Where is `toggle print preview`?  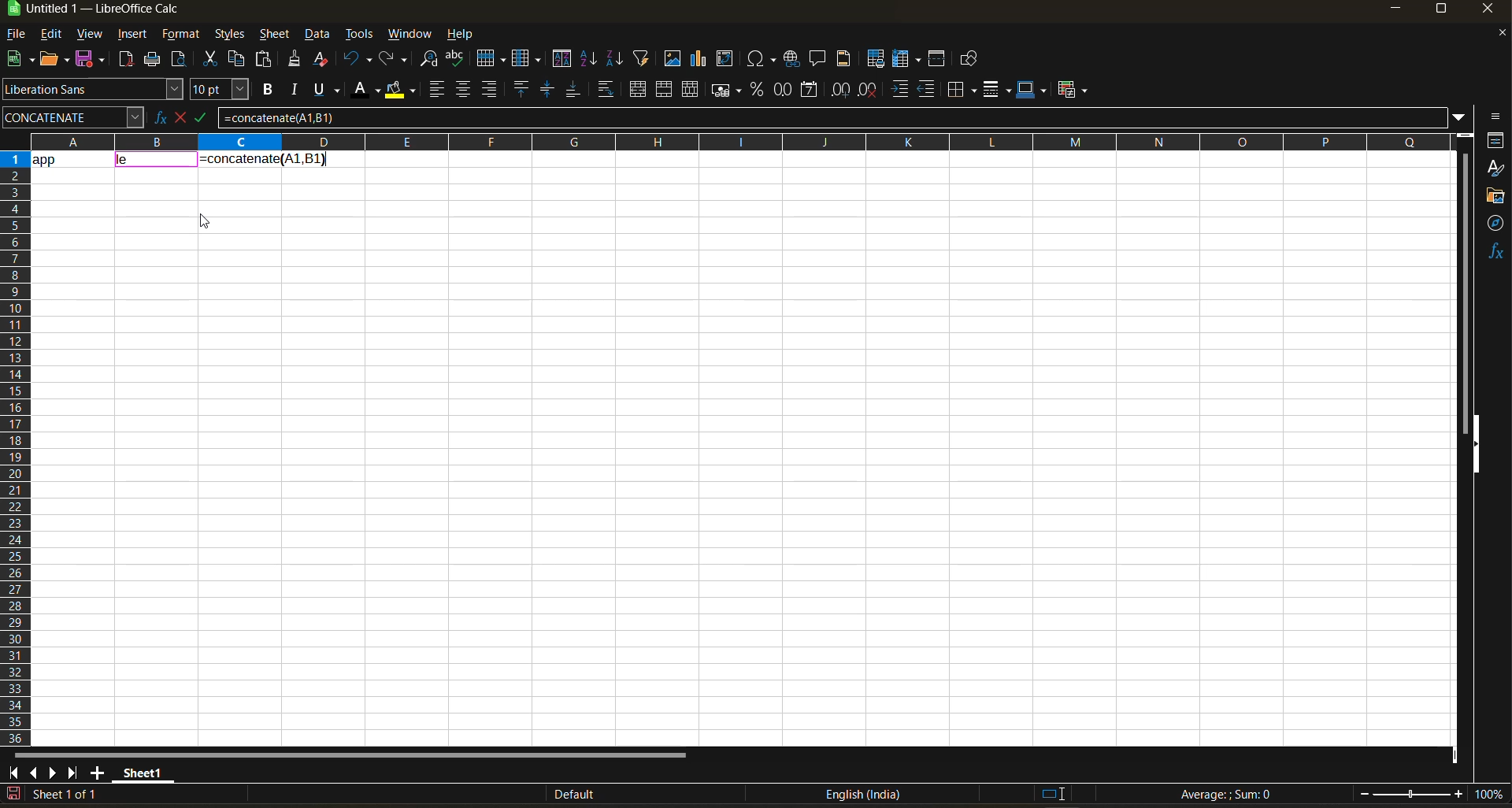 toggle print preview is located at coordinates (180, 61).